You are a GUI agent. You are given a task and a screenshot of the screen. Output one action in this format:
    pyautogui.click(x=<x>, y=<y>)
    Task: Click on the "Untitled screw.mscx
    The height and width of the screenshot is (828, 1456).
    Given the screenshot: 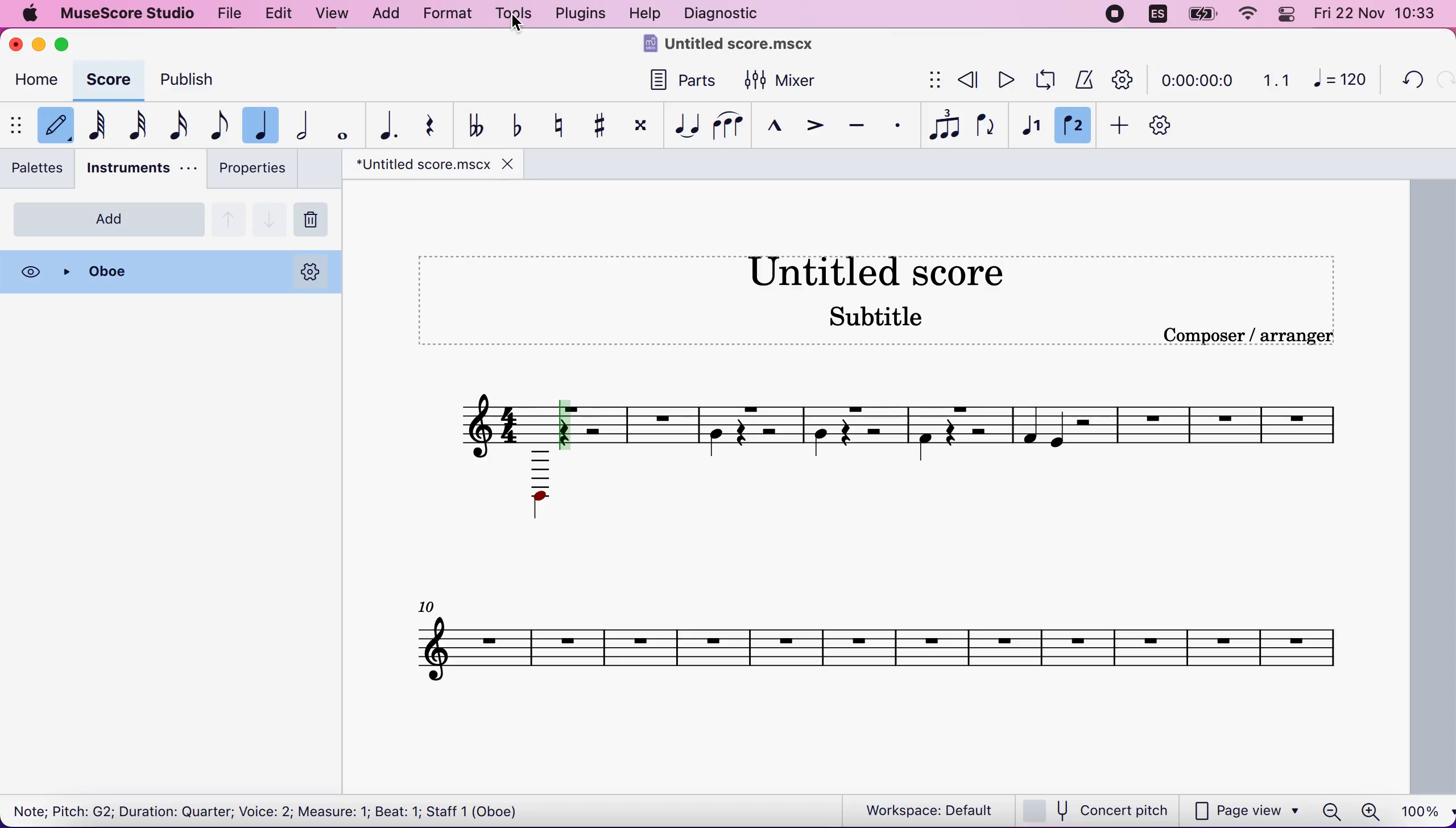 What is the action you would take?
    pyautogui.click(x=420, y=164)
    